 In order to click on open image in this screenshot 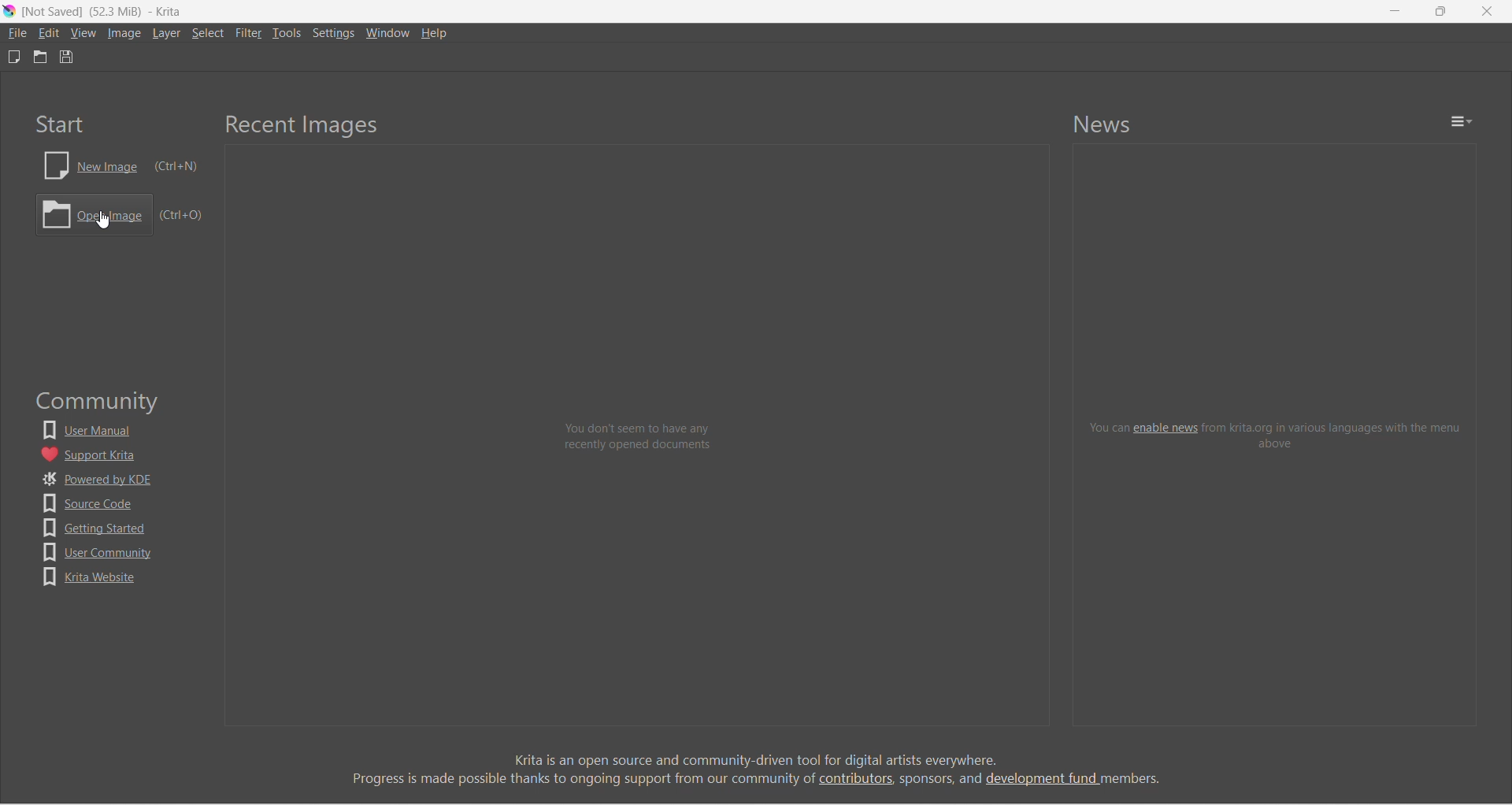, I will do `click(119, 215)`.